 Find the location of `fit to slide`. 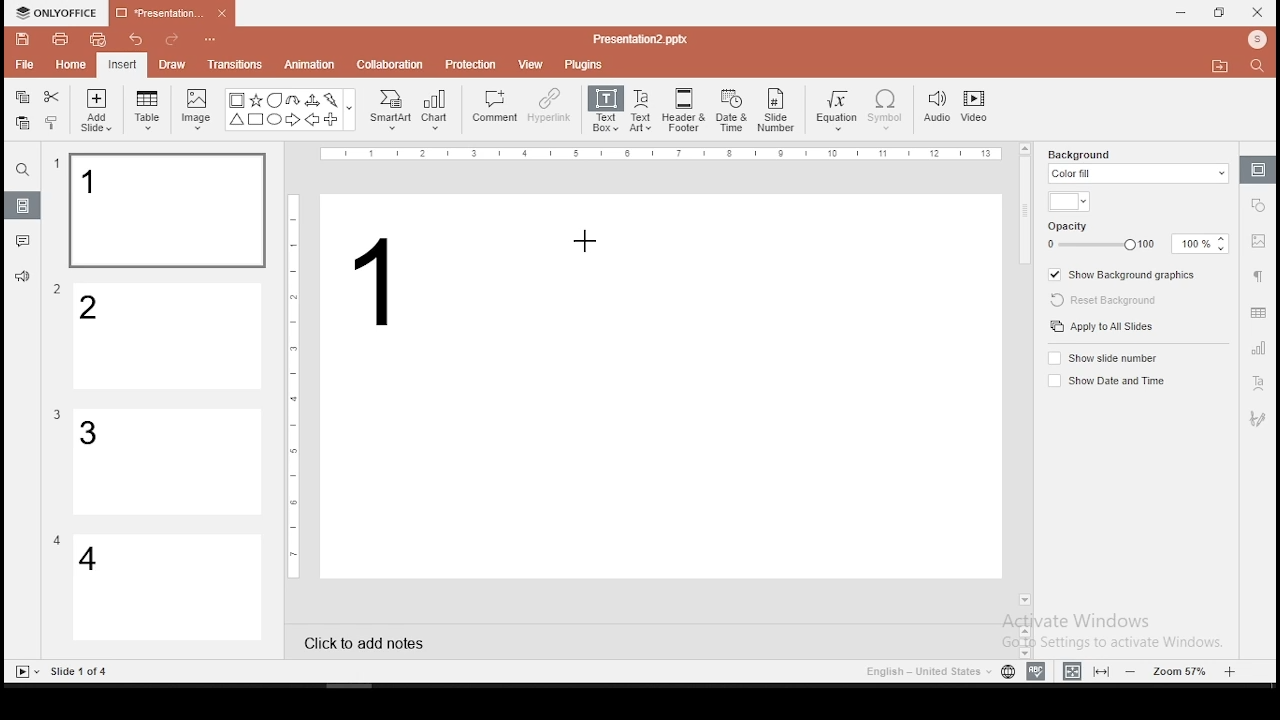

fit to slide is located at coordinates (1104, 670).